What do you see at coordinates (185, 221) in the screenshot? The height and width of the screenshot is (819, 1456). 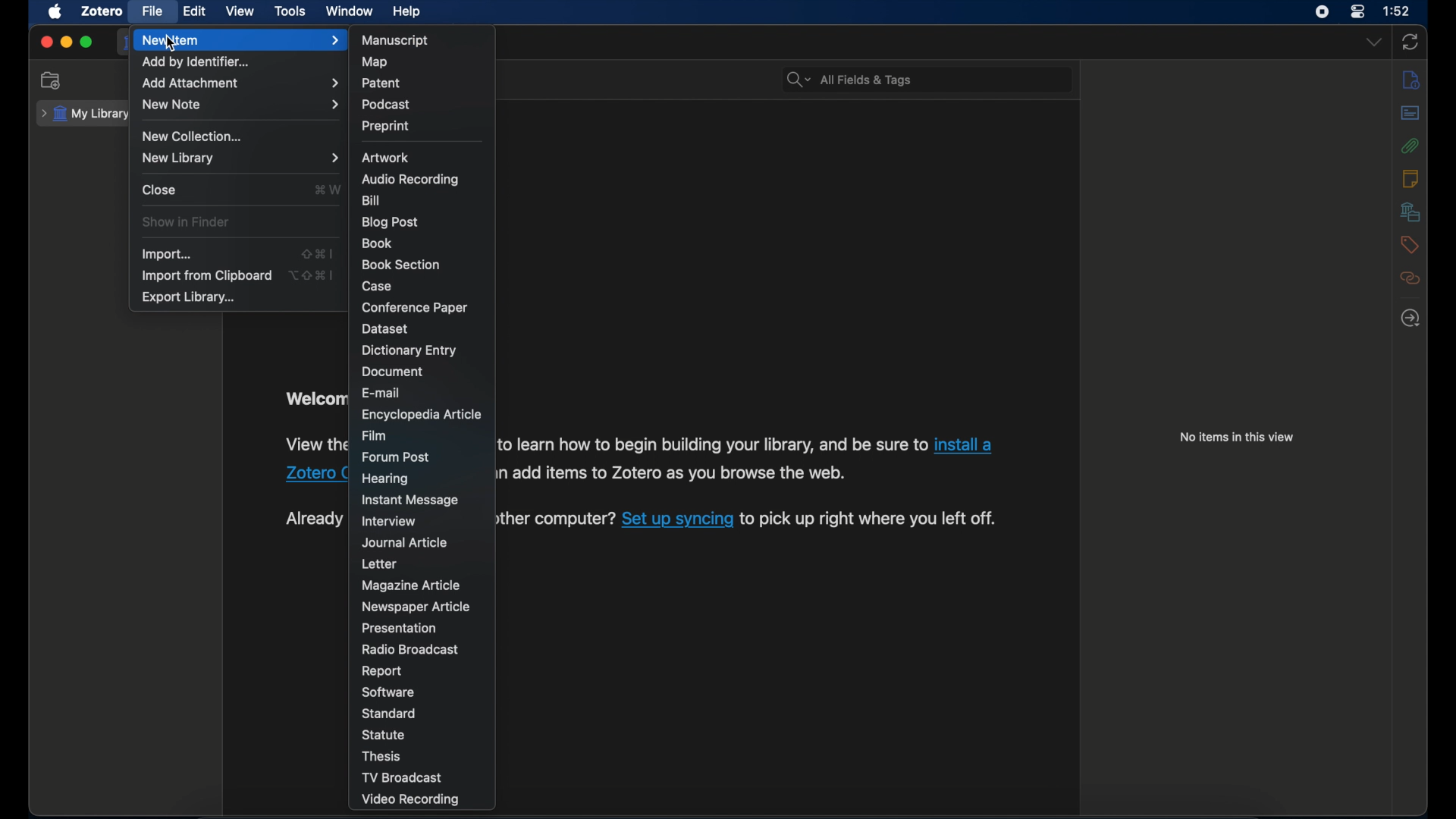 I see `show in finder` at bounding box center [185, 221].